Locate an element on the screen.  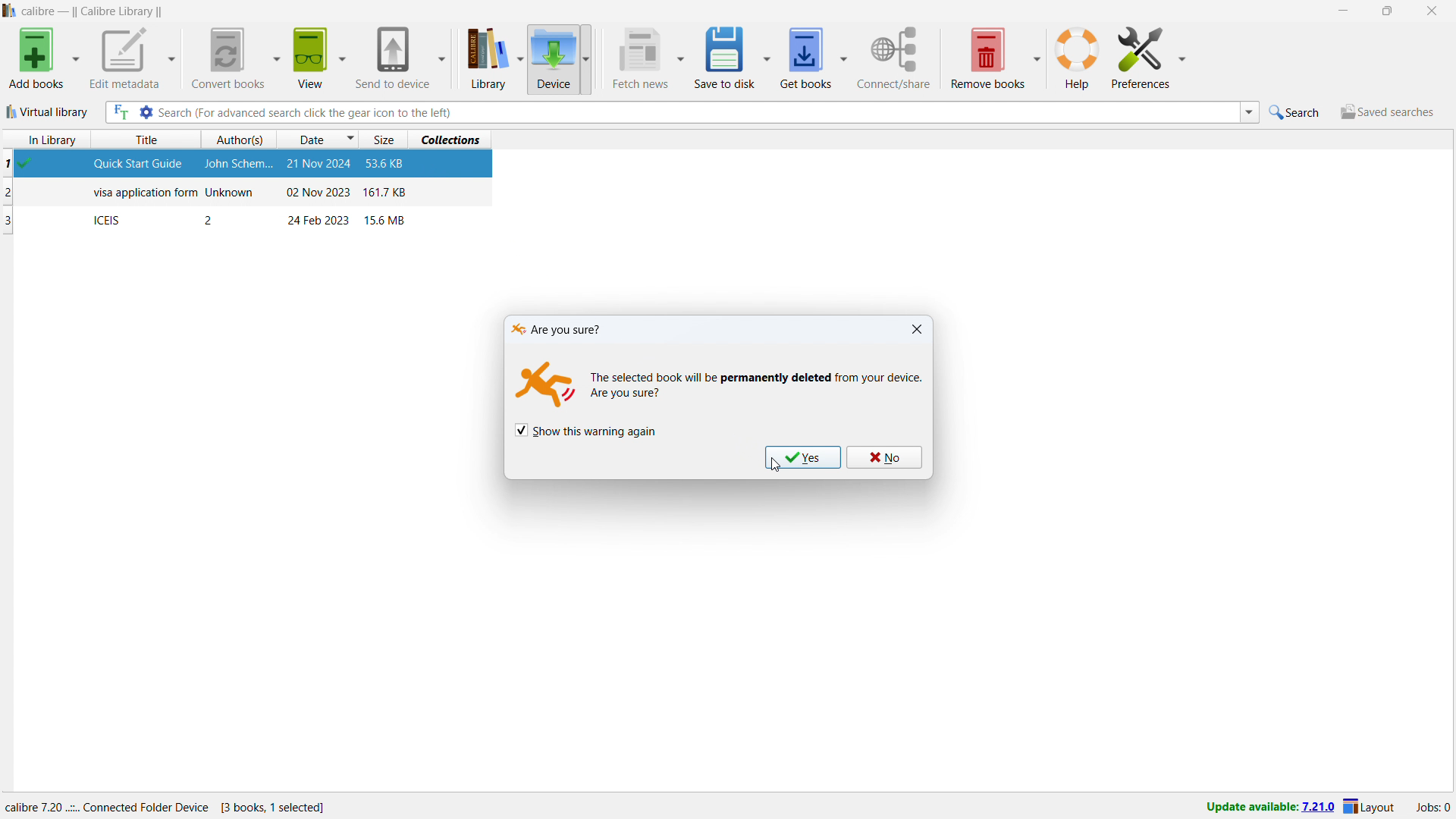
device options is located at coordinates (584, 58).